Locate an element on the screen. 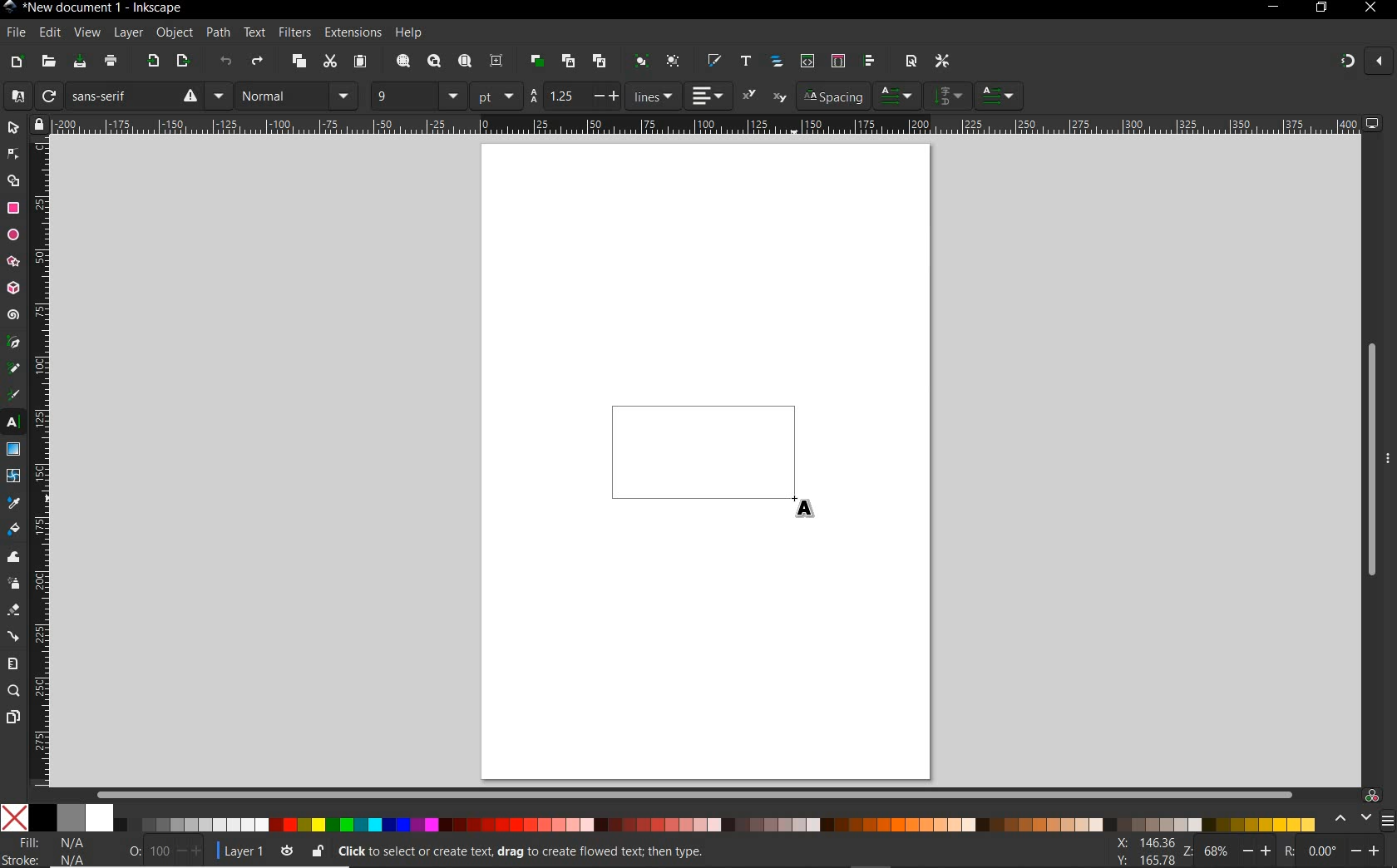 Image resolution: width=1397 pixels, height=868 pixels. - is located at coordinates (597, 96).